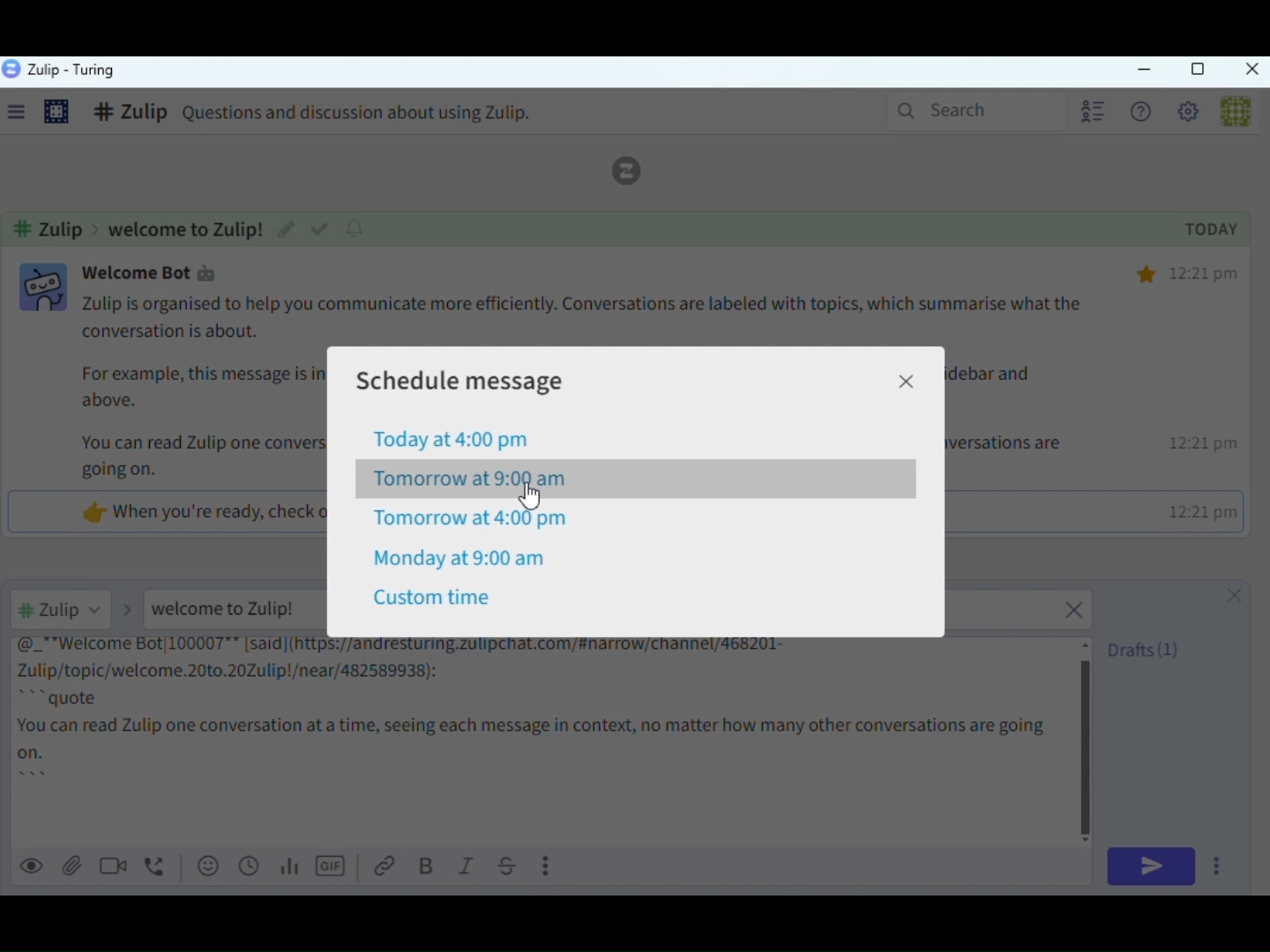 This screenshot has height=952, width=1270. I want to click on Link, so click(388, 867).